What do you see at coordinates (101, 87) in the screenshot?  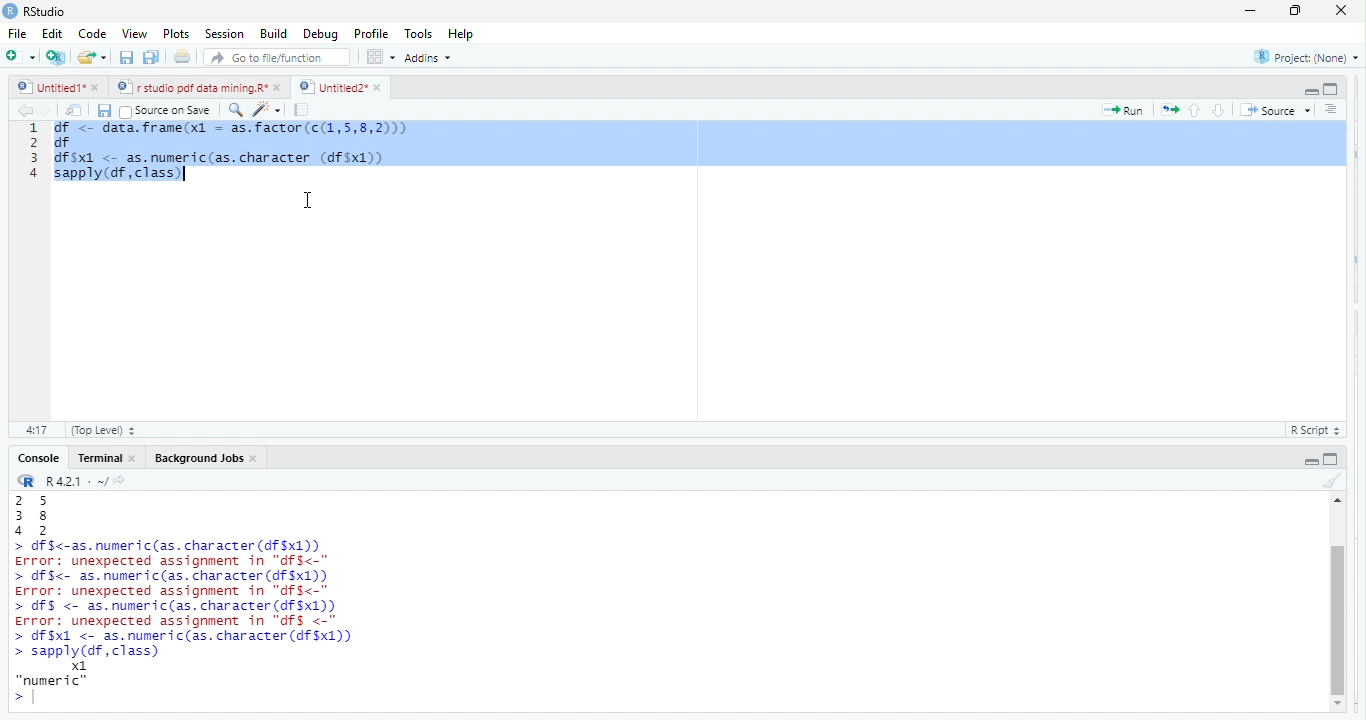 I see `close` at bounding box center [101, 87].